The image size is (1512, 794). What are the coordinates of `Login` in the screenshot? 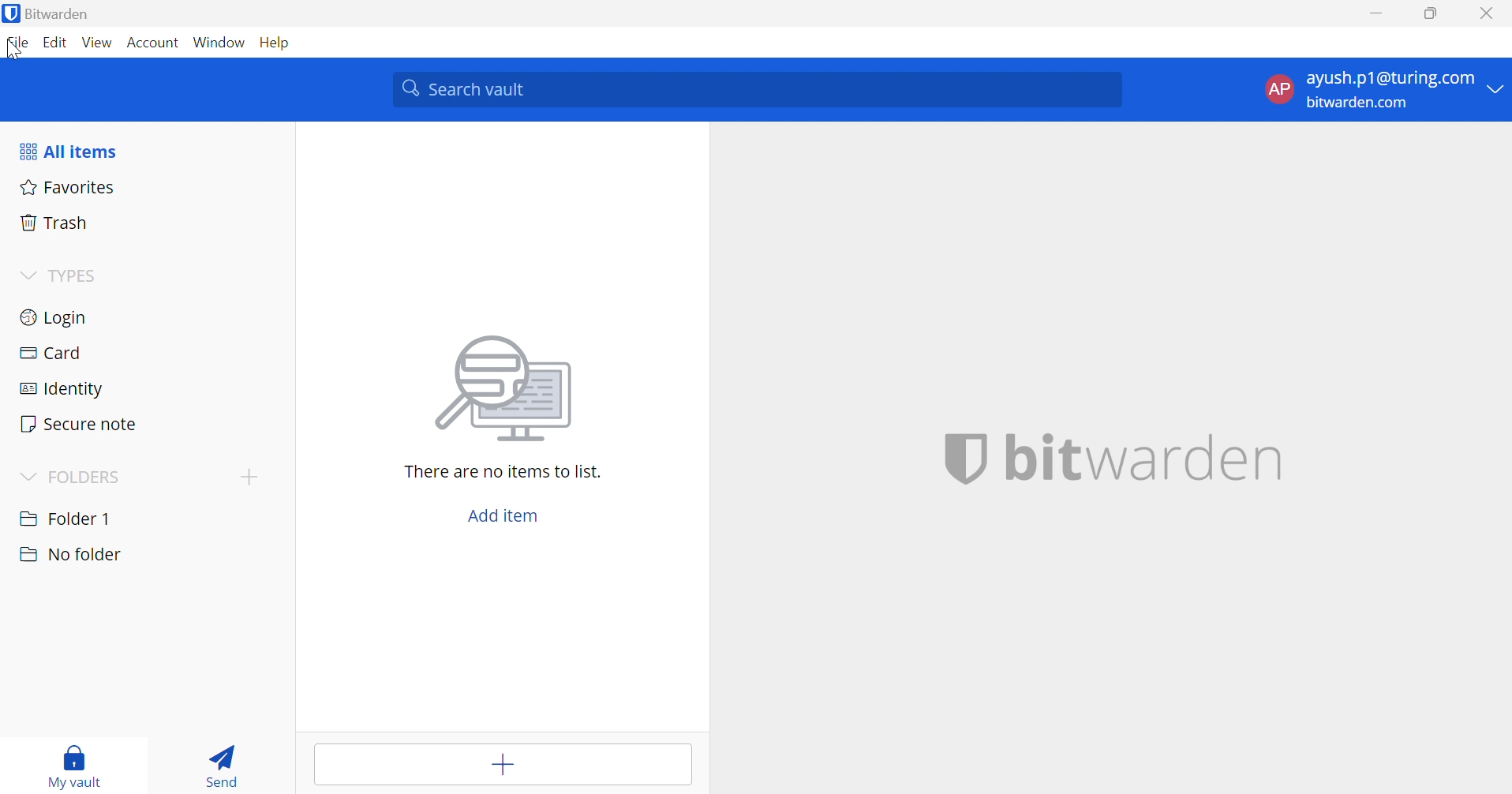 It's located at (54, 316).